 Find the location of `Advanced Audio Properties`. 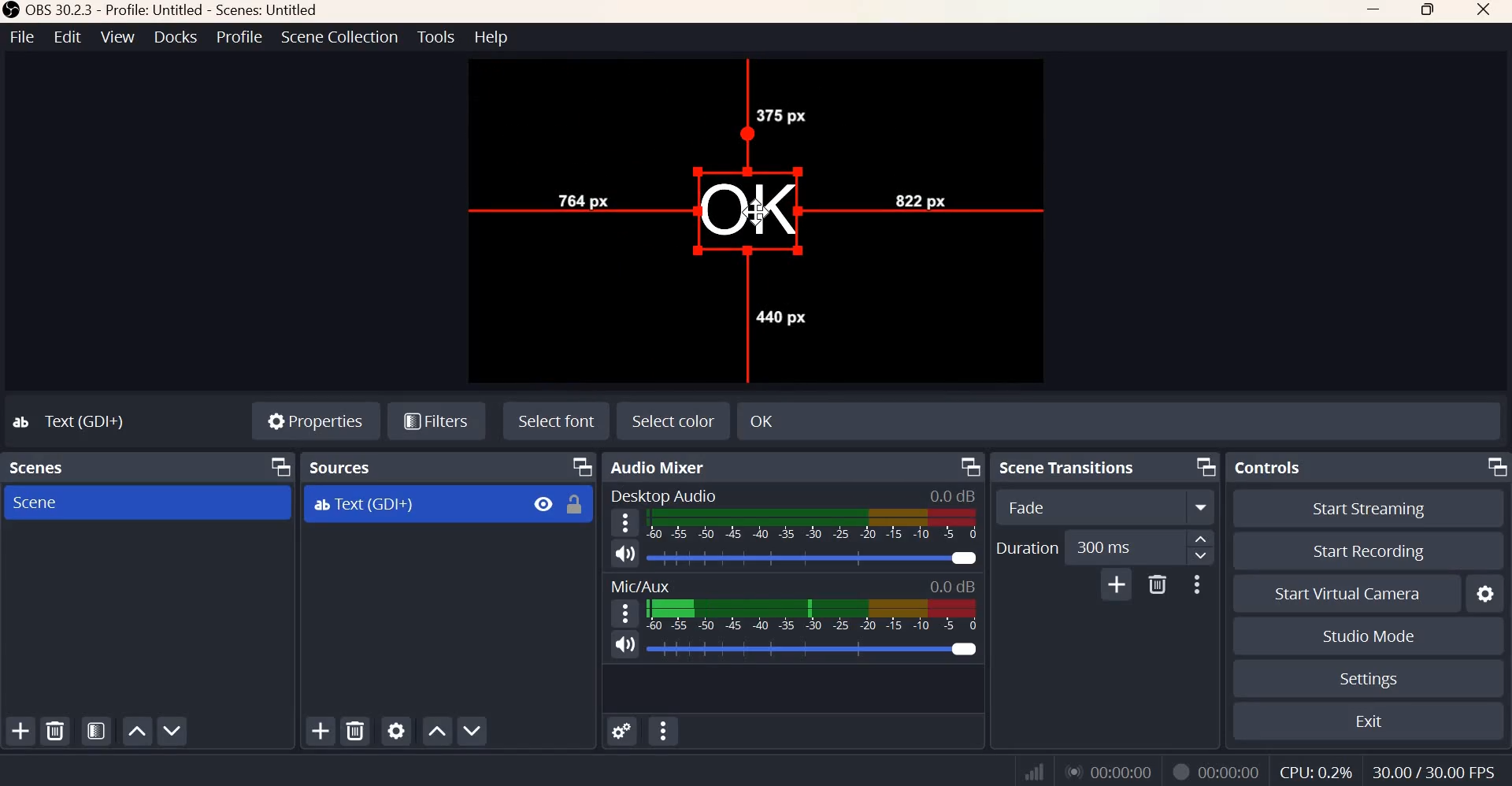

Advanced Audio Properties is located at coordinates (621, 731).